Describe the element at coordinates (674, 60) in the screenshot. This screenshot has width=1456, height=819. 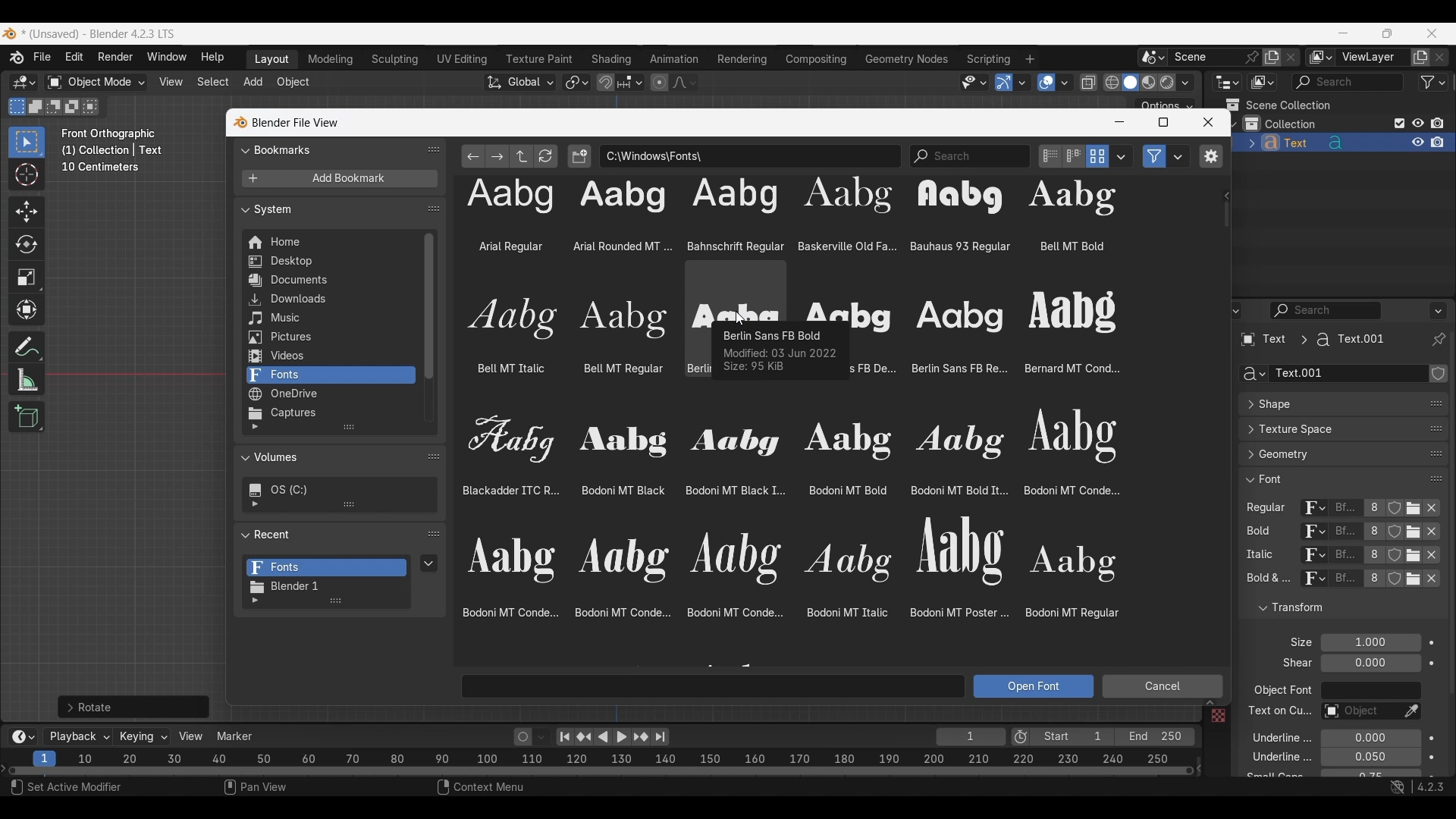
I see `Animation workspace` at that location.